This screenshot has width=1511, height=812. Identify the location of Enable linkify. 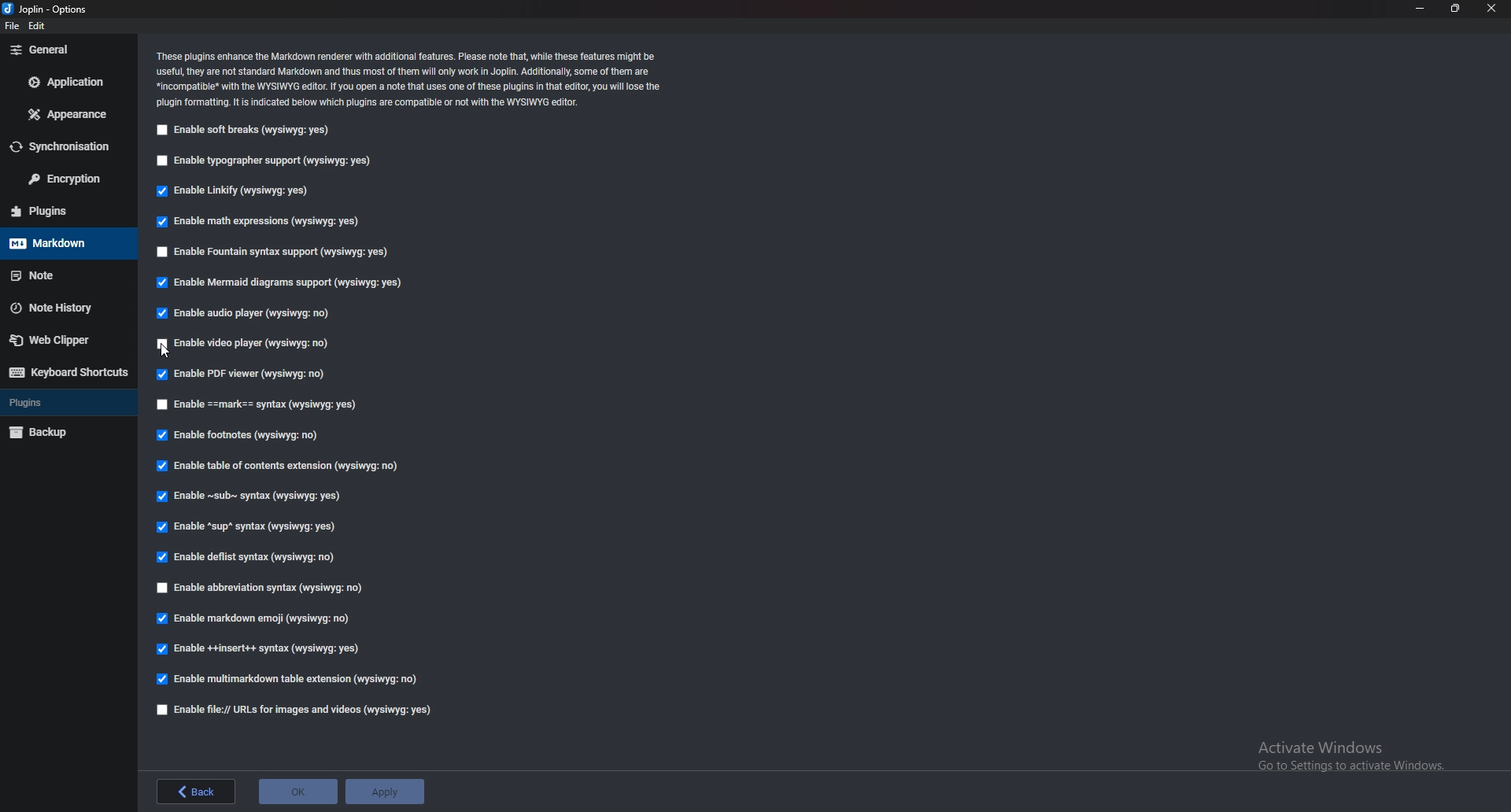
(236, 193).